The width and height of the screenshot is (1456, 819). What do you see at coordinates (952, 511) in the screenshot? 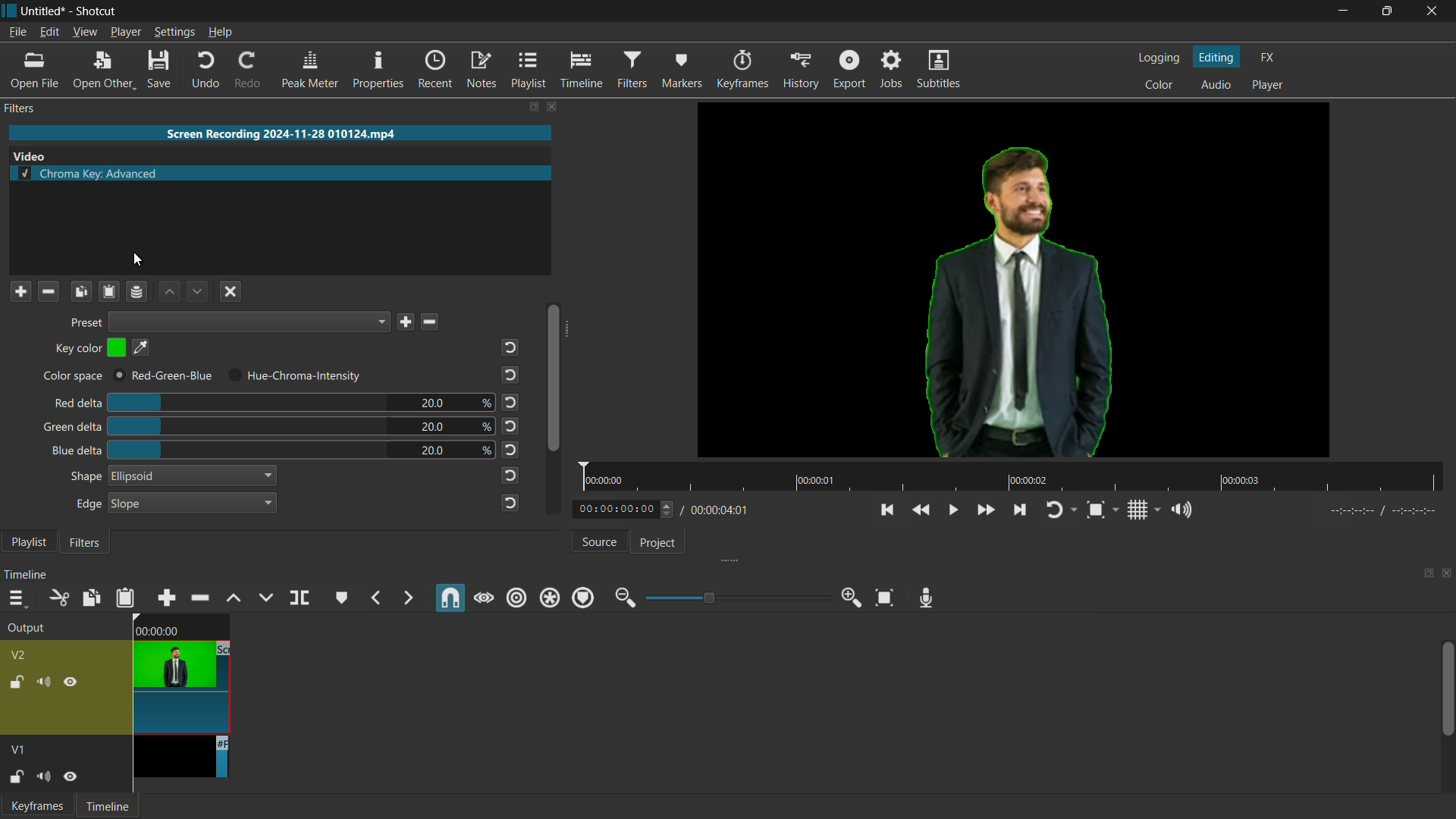
I see `toggle play or pause` at bounding box center [952, 511].